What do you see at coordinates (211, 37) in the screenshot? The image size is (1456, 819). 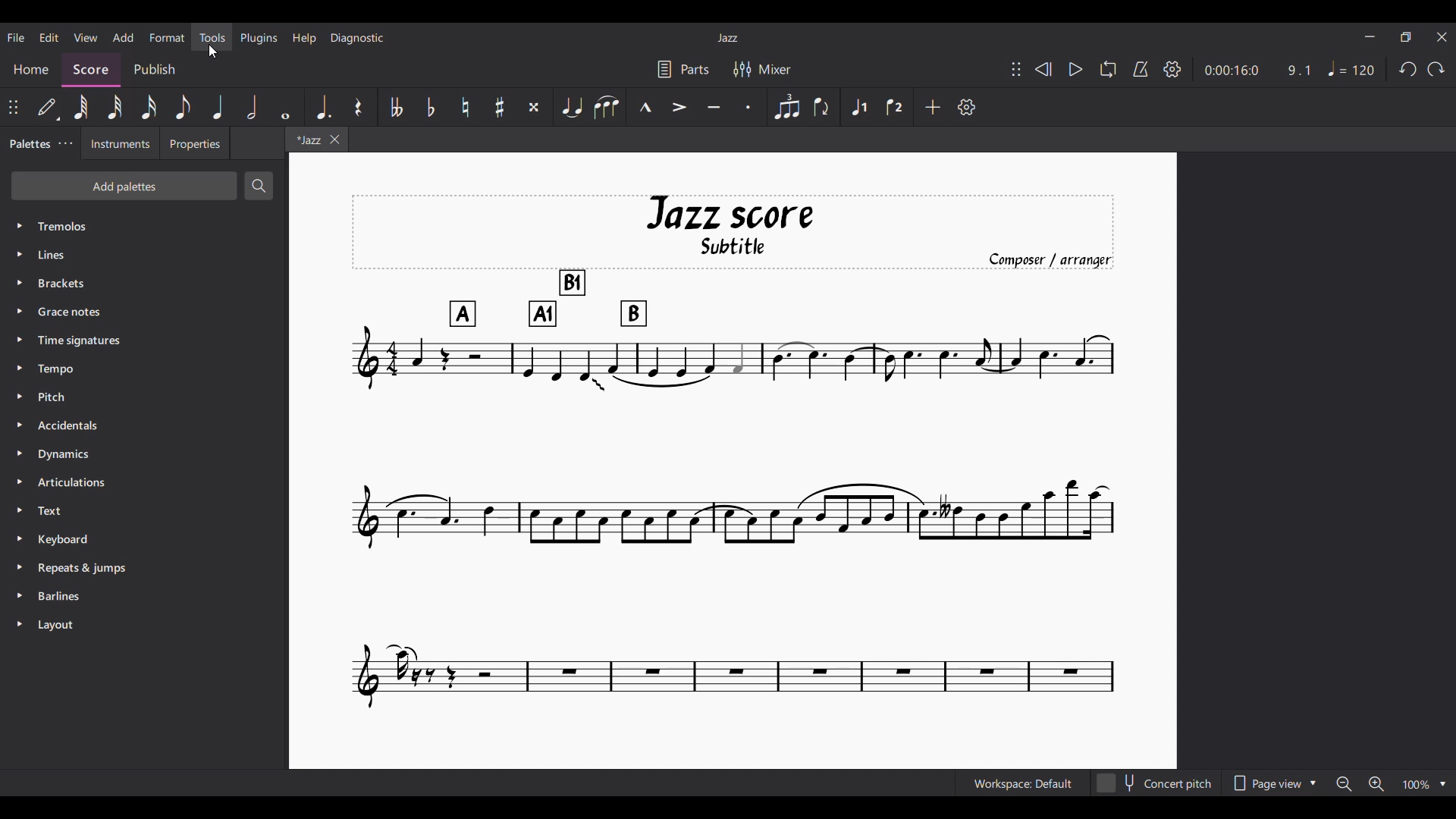 I see `Tools menu, highlighted by cursor` at bounding box center [211, 37].